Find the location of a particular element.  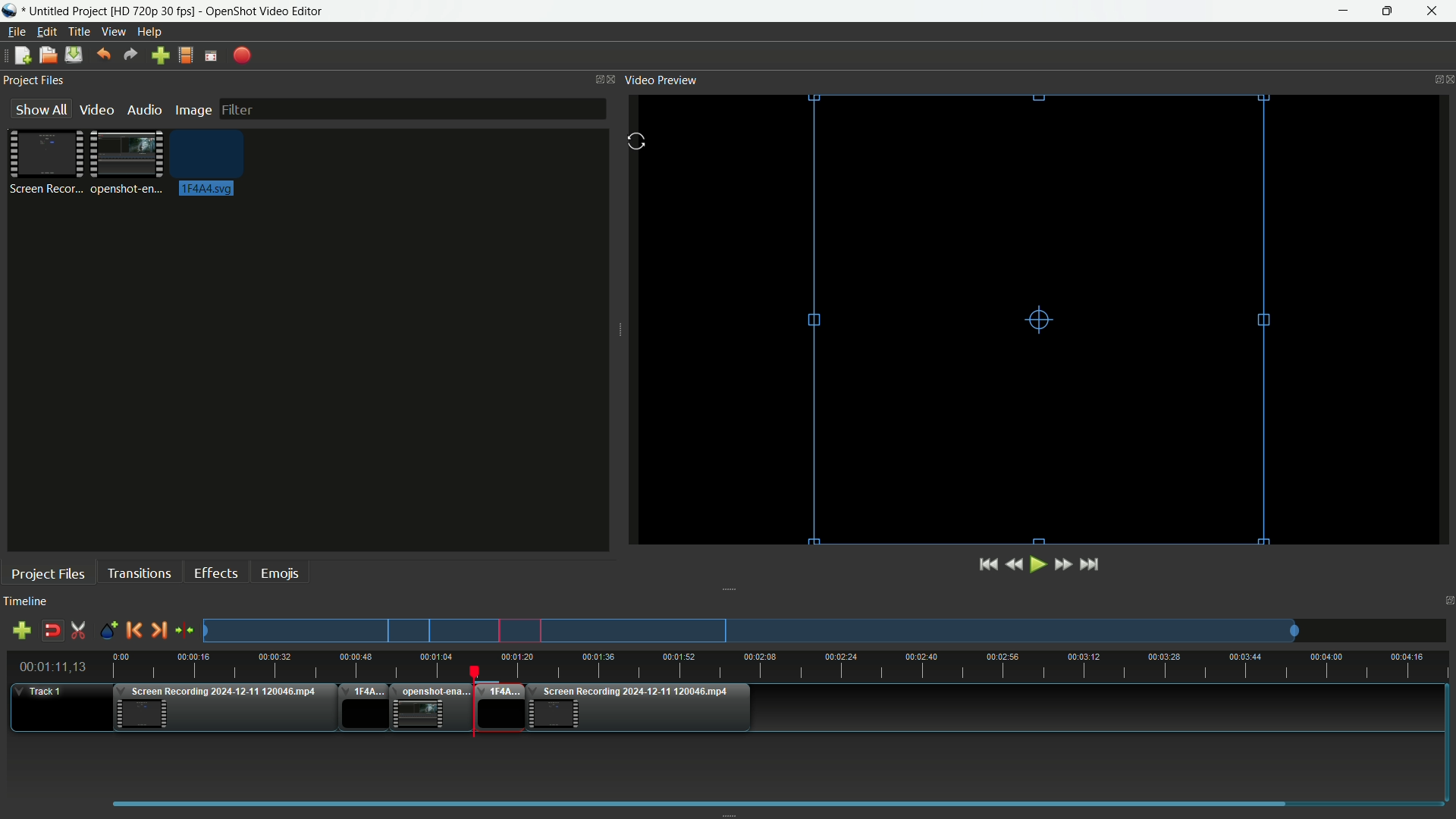

Save file is located at coordinates (74, 56).